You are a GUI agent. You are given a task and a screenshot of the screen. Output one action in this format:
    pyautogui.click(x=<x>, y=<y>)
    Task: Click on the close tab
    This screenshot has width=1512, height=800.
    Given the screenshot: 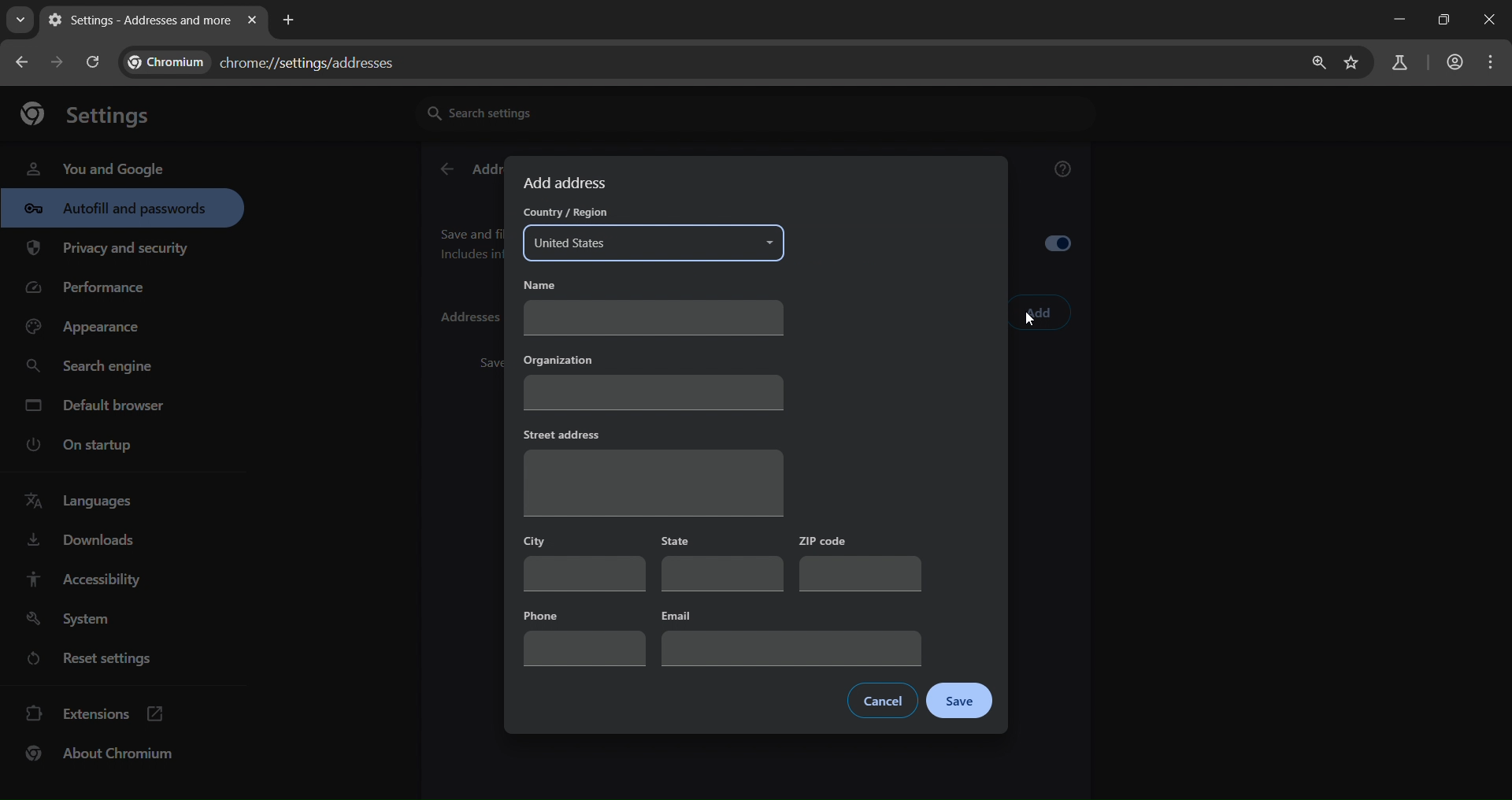 What is the action you would take?
    pyautogui.click(x=252, y=21)
    